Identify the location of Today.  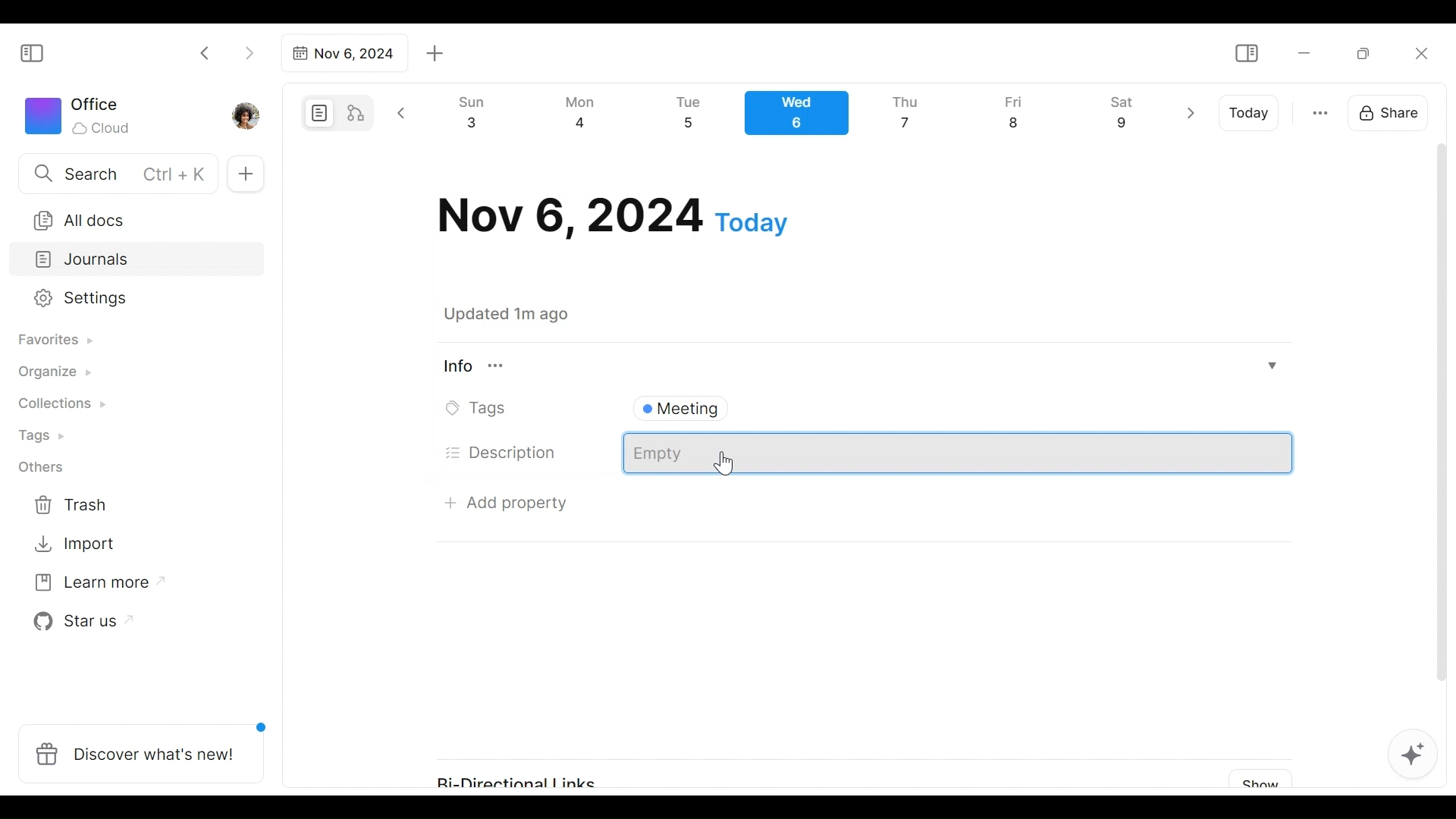
(1250, 113).